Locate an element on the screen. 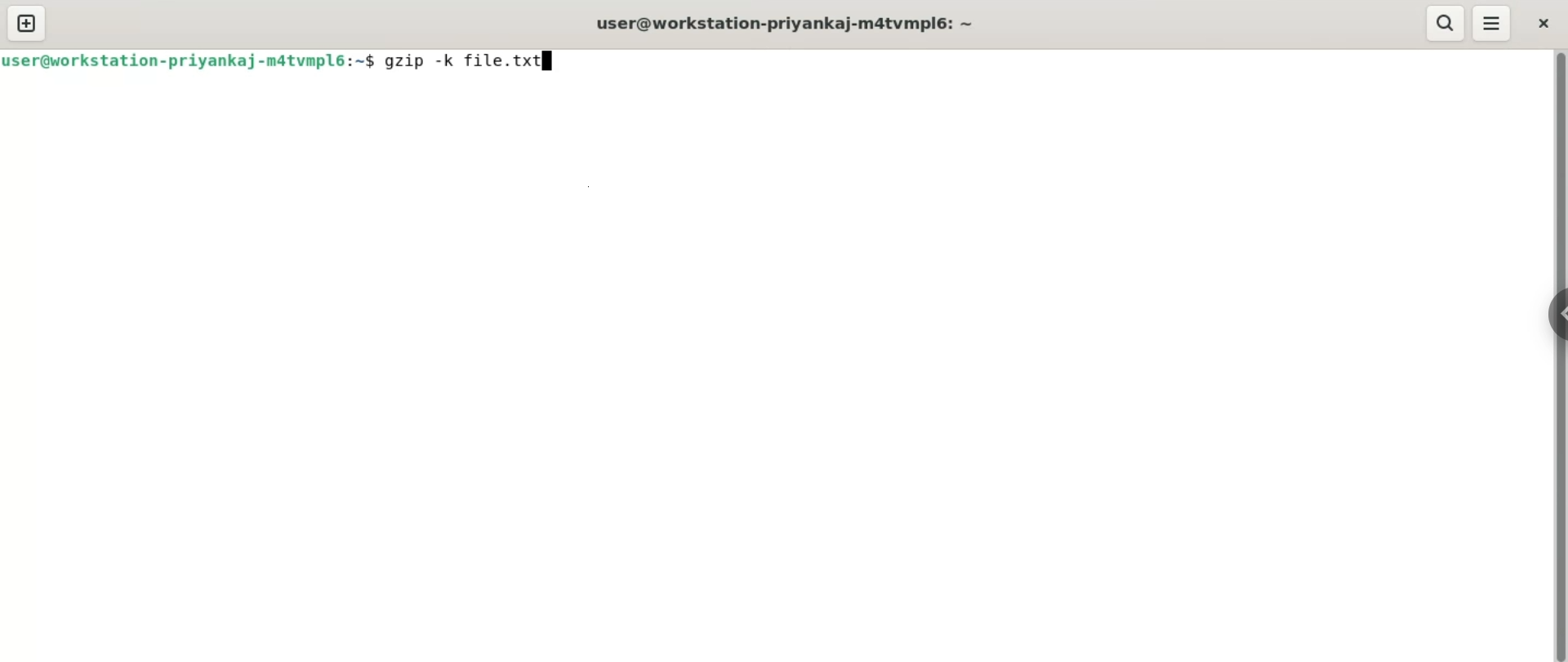 This screenshot has height=662, width=1568.  user@workstation-priyanka-m4tvmpl6:~ is located at coordinates (790, 24).